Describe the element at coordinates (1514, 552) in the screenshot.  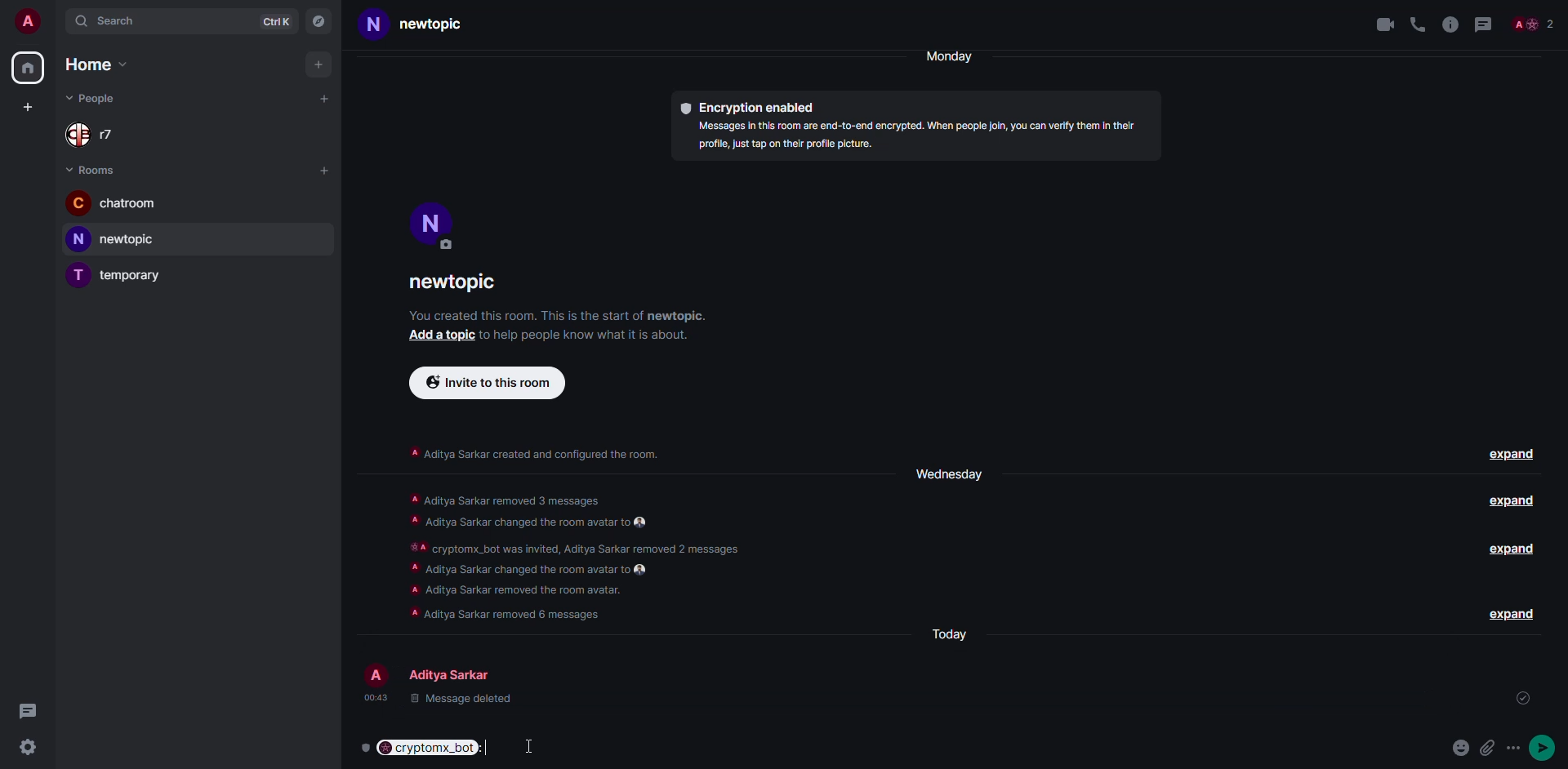
I see `expand` at that location.